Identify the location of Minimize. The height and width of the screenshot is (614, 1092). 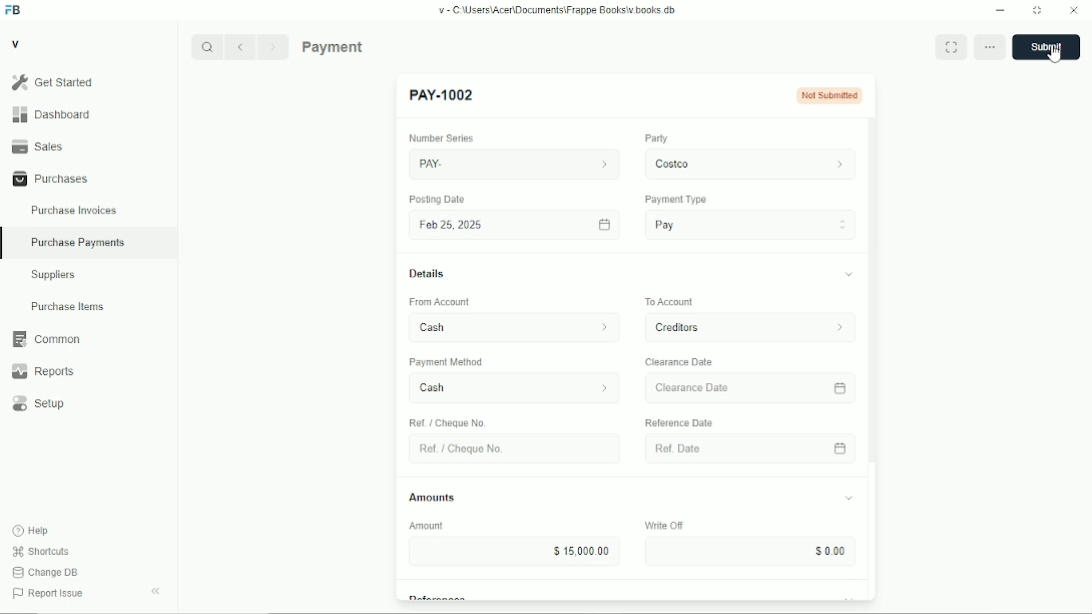
(1000, 10).